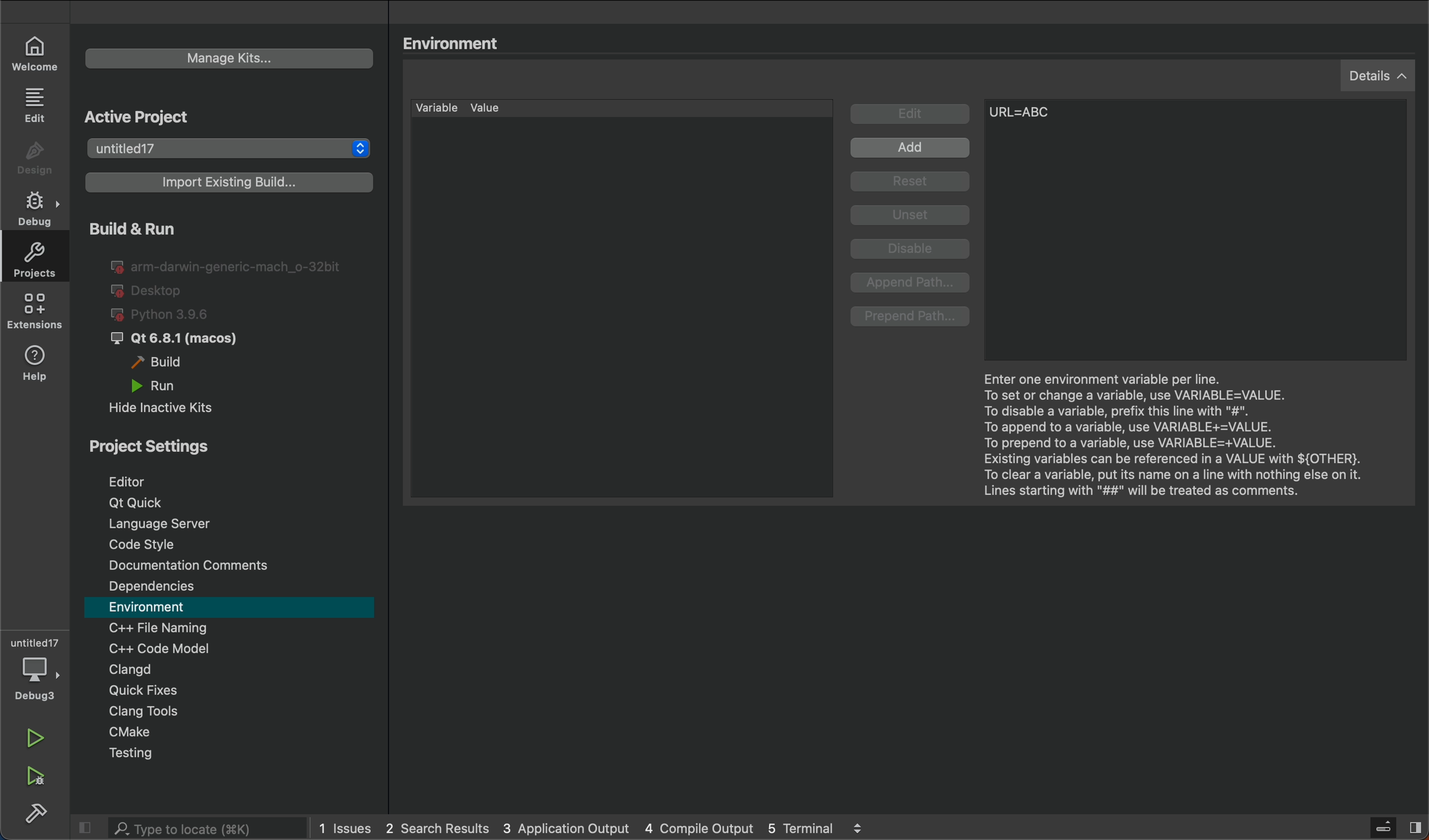 The height and width of the screenshot is (840, 1429). What do you see at coordinates (38, 205) in the screenshot?
I see `debug` at bounding box center [38, 205].